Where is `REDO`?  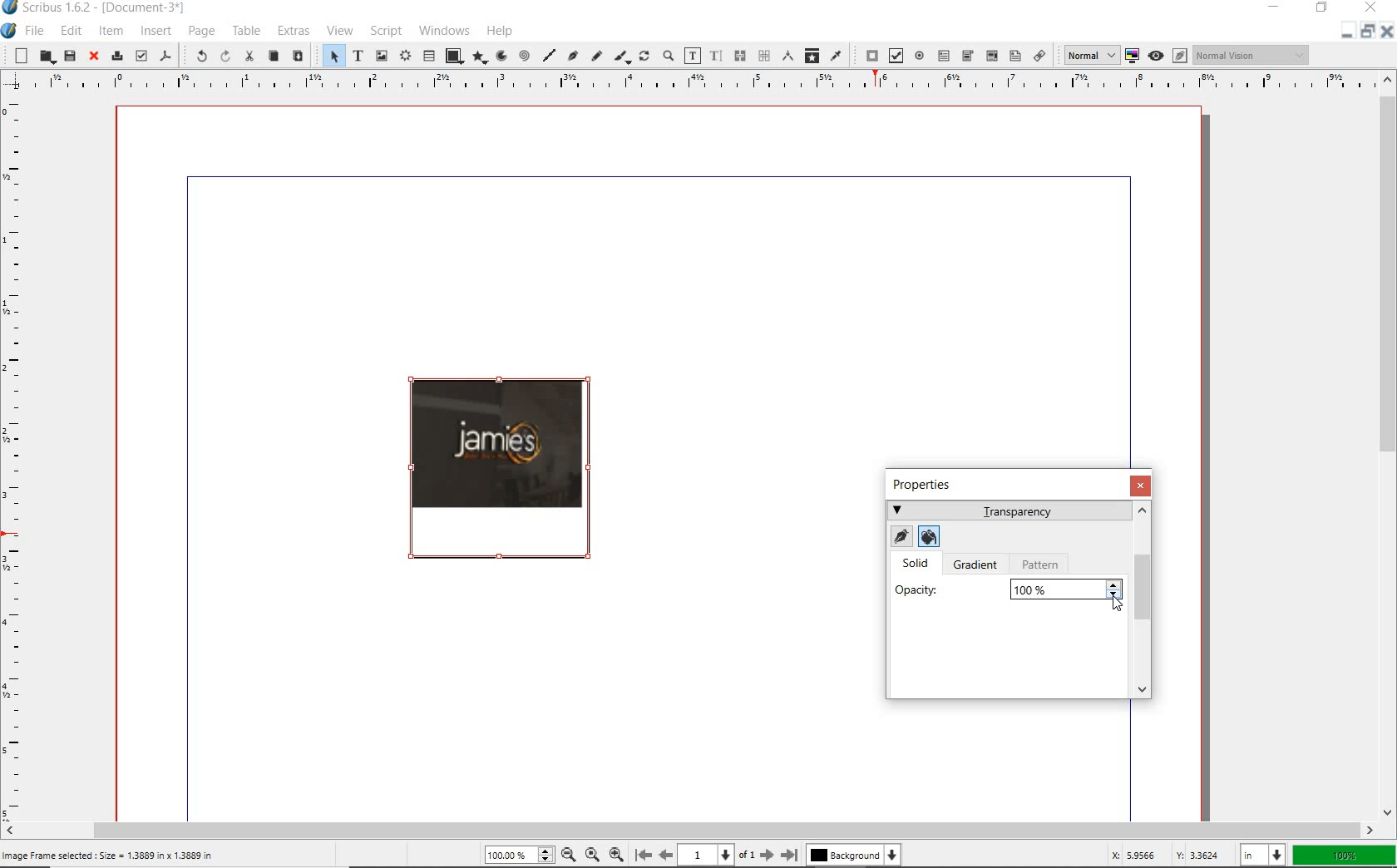 REDO is located at coordinates (224, 58).